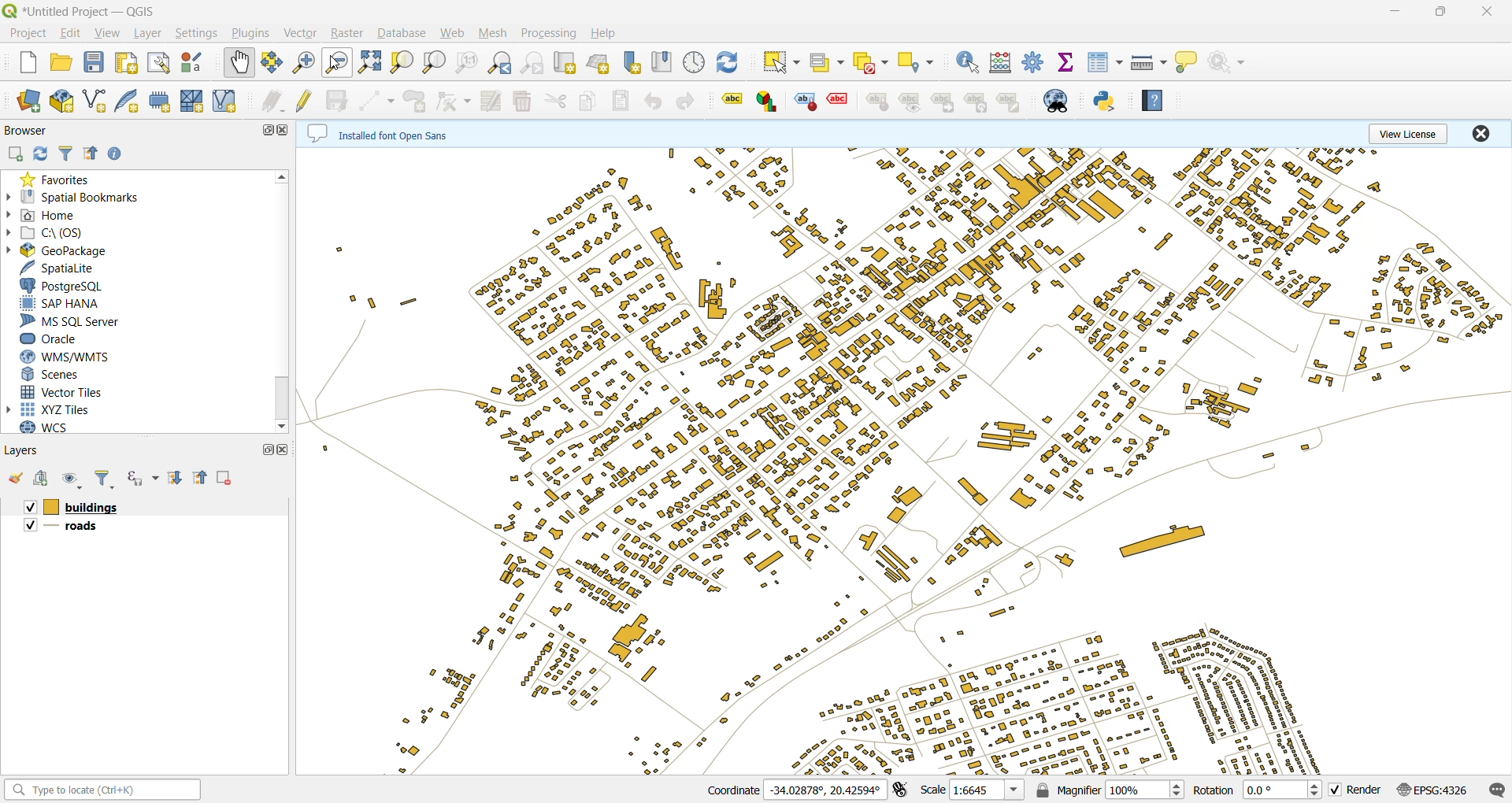 This screenshot has width=1512, height=803. I want to click on redo, so click(684, 99).